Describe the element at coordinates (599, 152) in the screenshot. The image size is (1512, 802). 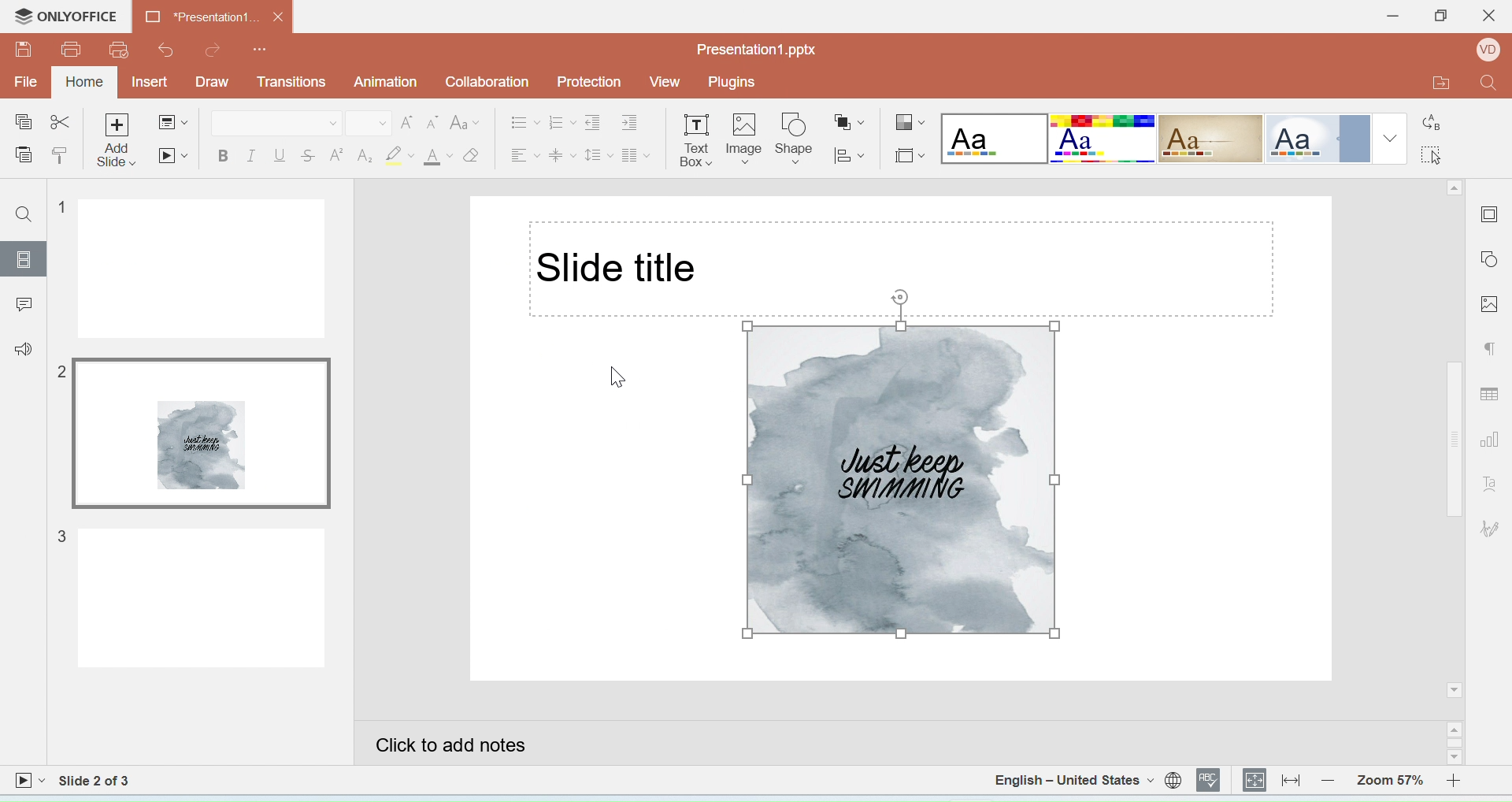
I see `Line spacing` at that location.